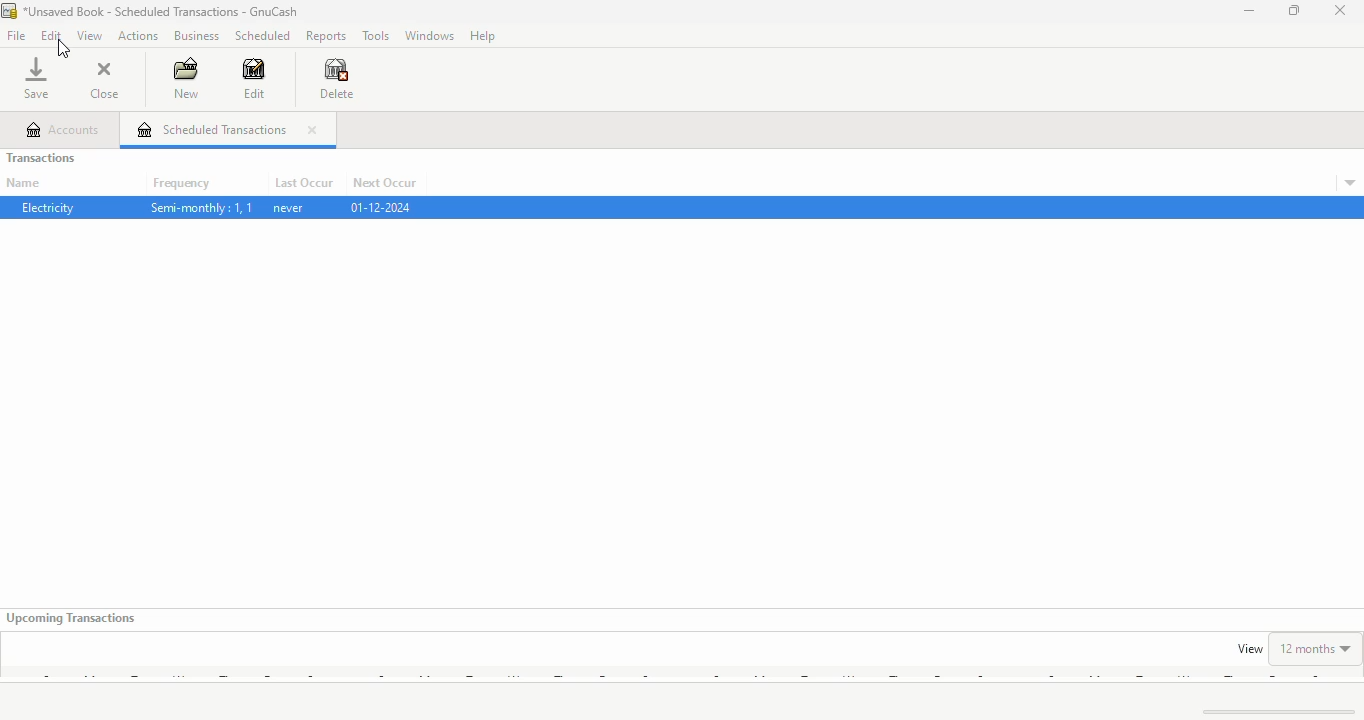 This screenshot has height=720, width=1364. What do you see at coordinates (1250, 649) in the screenshot?
I see `view` at bounding box center [1250, 649].